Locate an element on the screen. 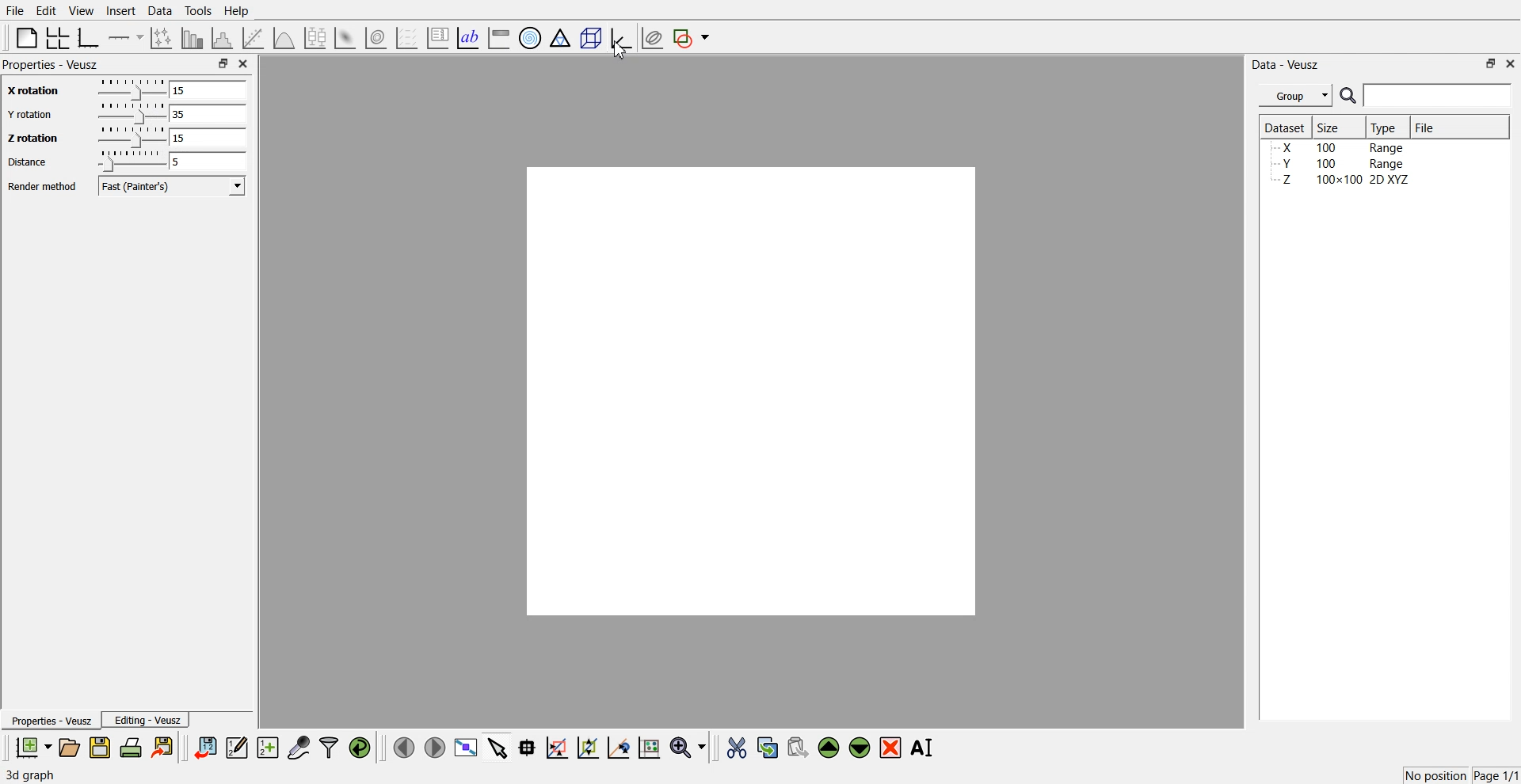 The image size is (1521, 784). Add shape to the plot is located at coordinates (691, 38).